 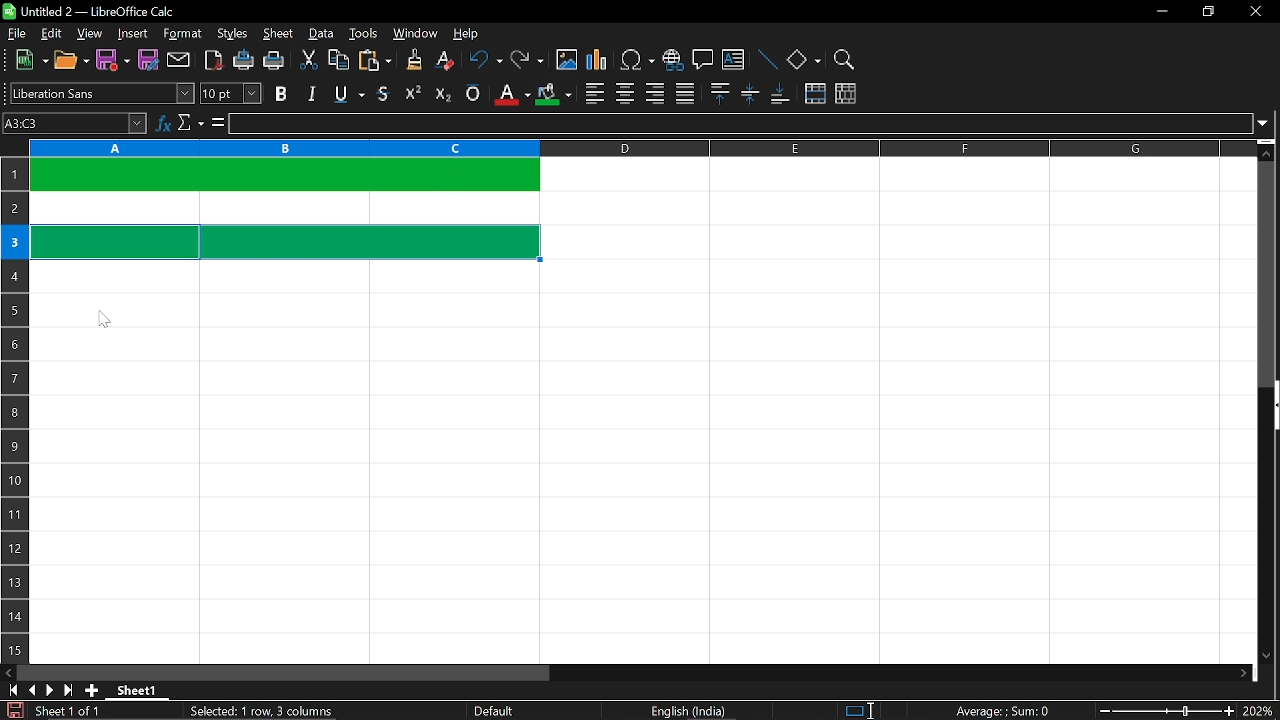 I want to click on Name box, so click(x=75, y=124).